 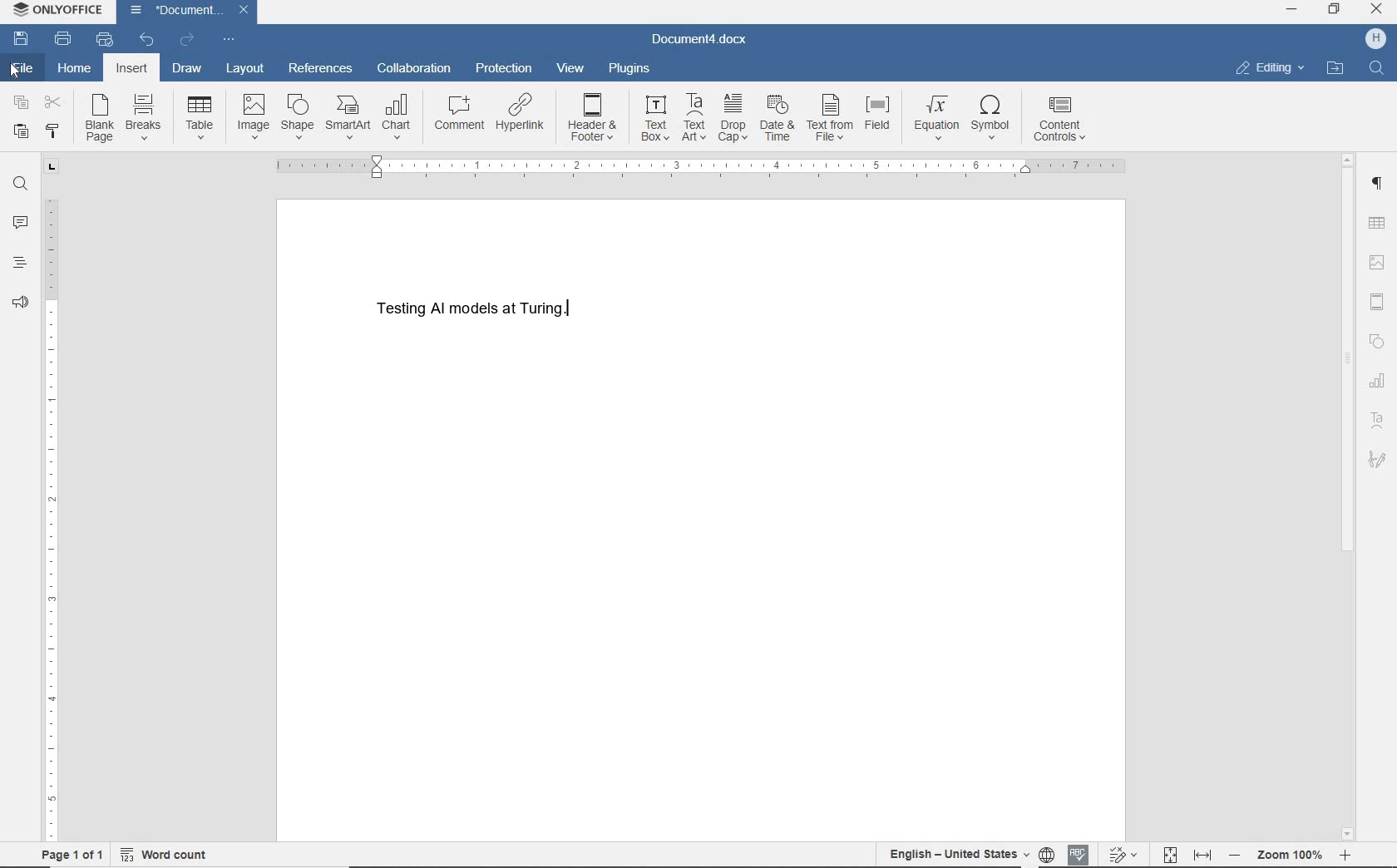 I want to click on copy style, so click(x=51, y=131).